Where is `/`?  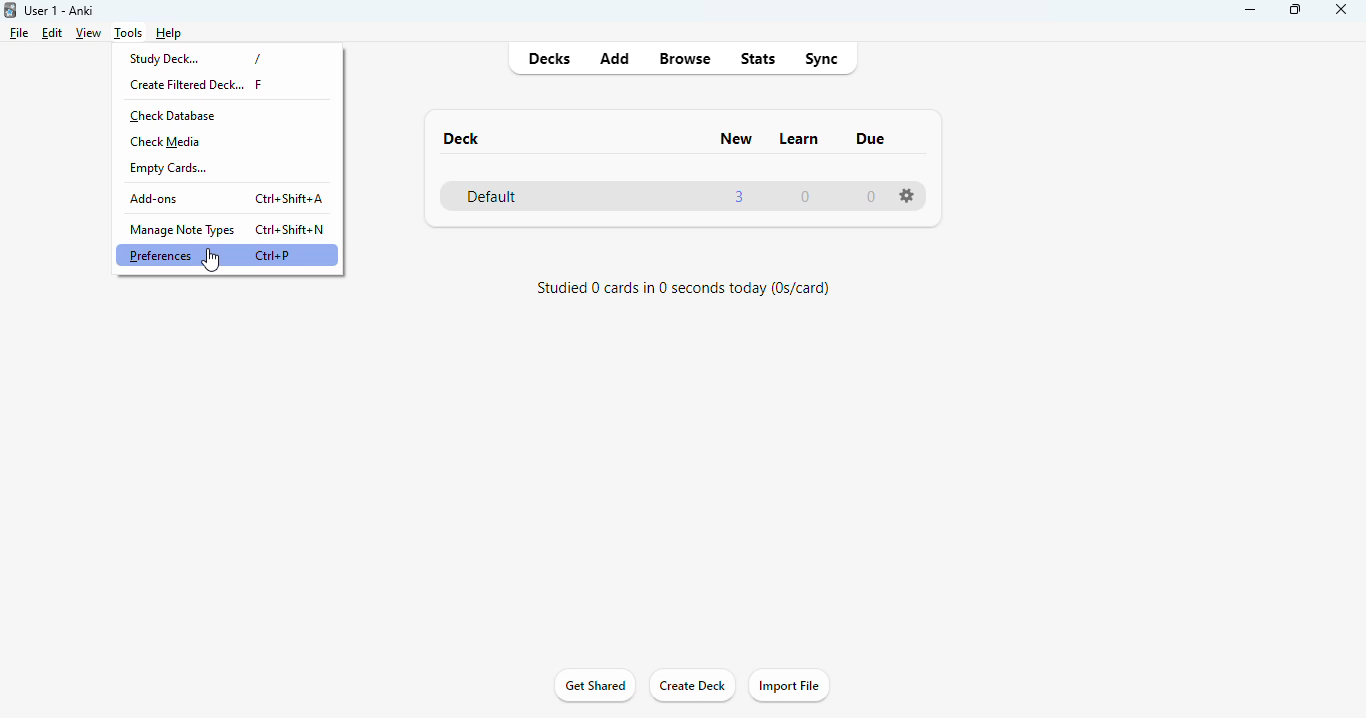
/ is located at coordinates (256, 57).